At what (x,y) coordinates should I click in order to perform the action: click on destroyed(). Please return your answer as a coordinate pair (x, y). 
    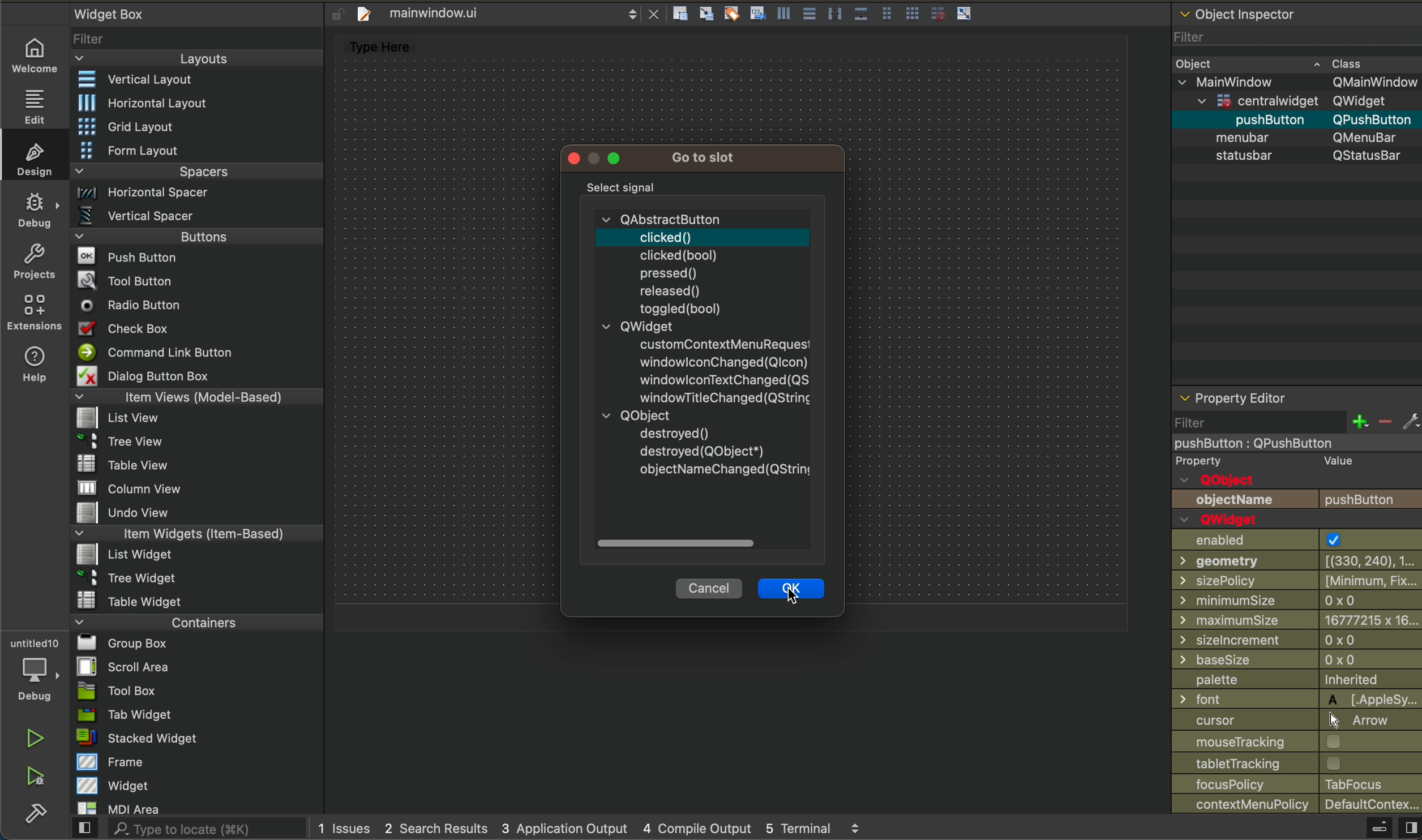
    Looking at the image, I should click on (676, 432).